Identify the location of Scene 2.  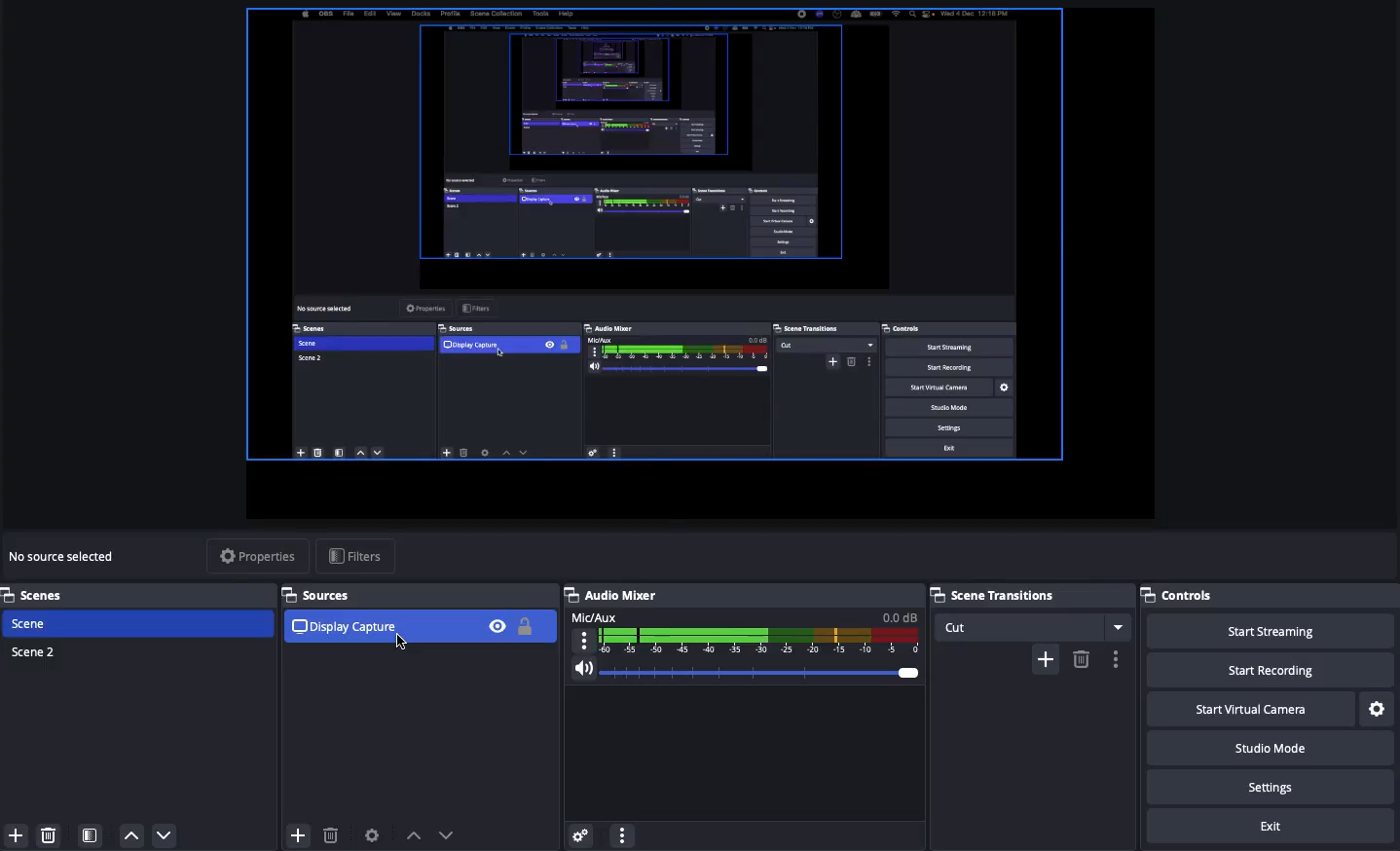
(35, 650).